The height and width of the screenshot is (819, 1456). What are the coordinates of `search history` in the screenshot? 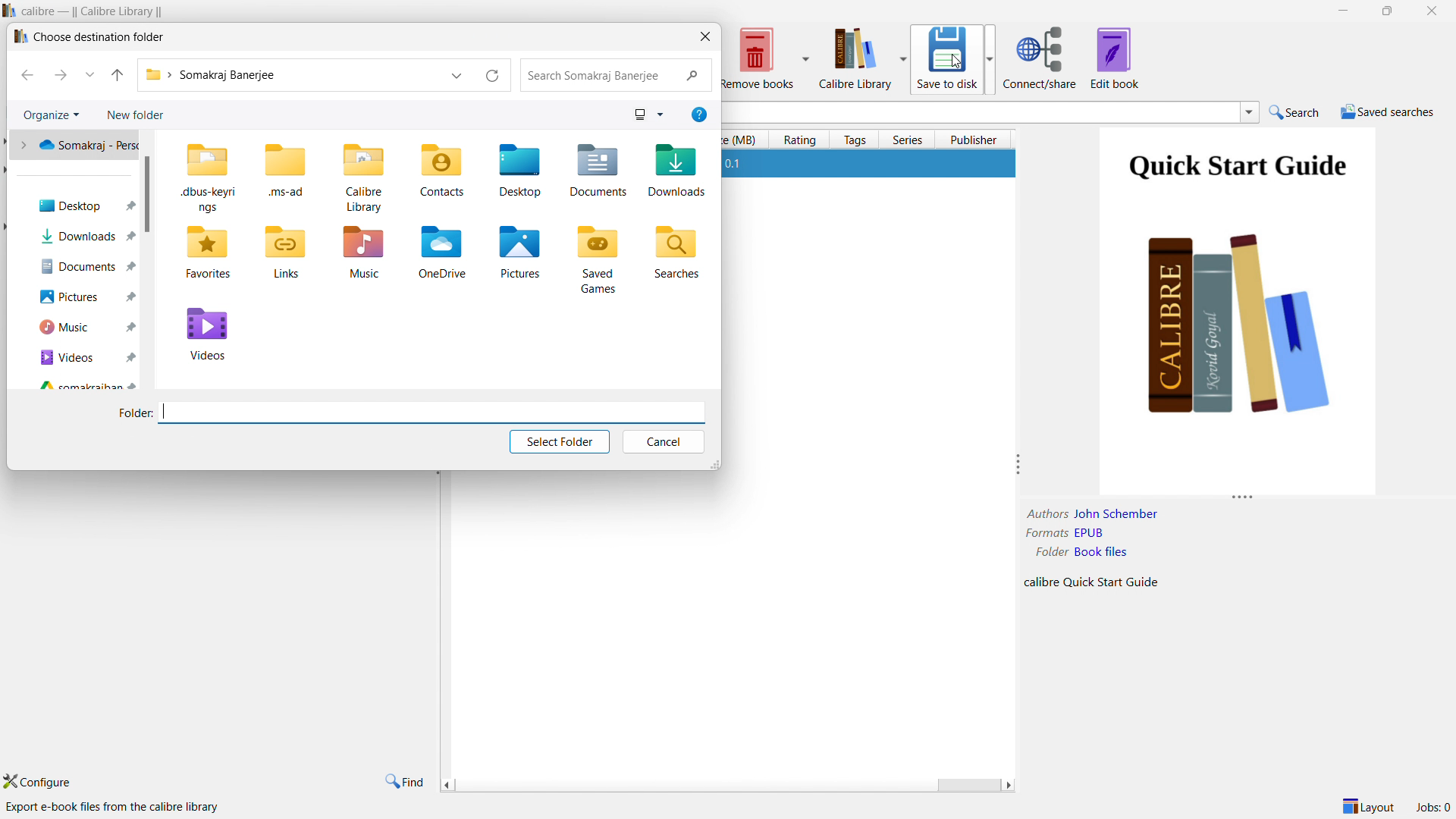 It's located at (1249, 111).